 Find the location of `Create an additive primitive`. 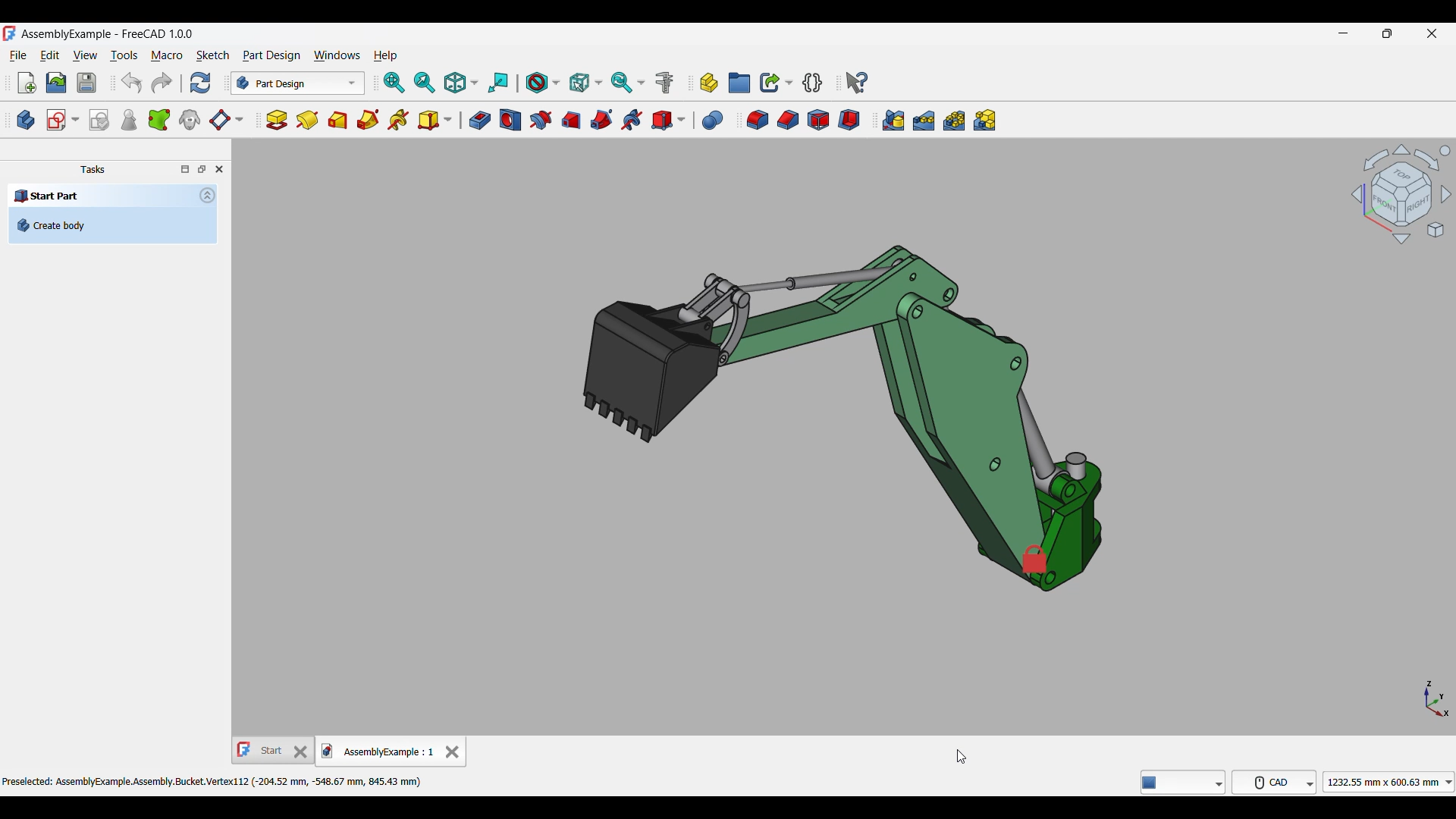

Create an additive primitive is located at coordinates (435, 120).